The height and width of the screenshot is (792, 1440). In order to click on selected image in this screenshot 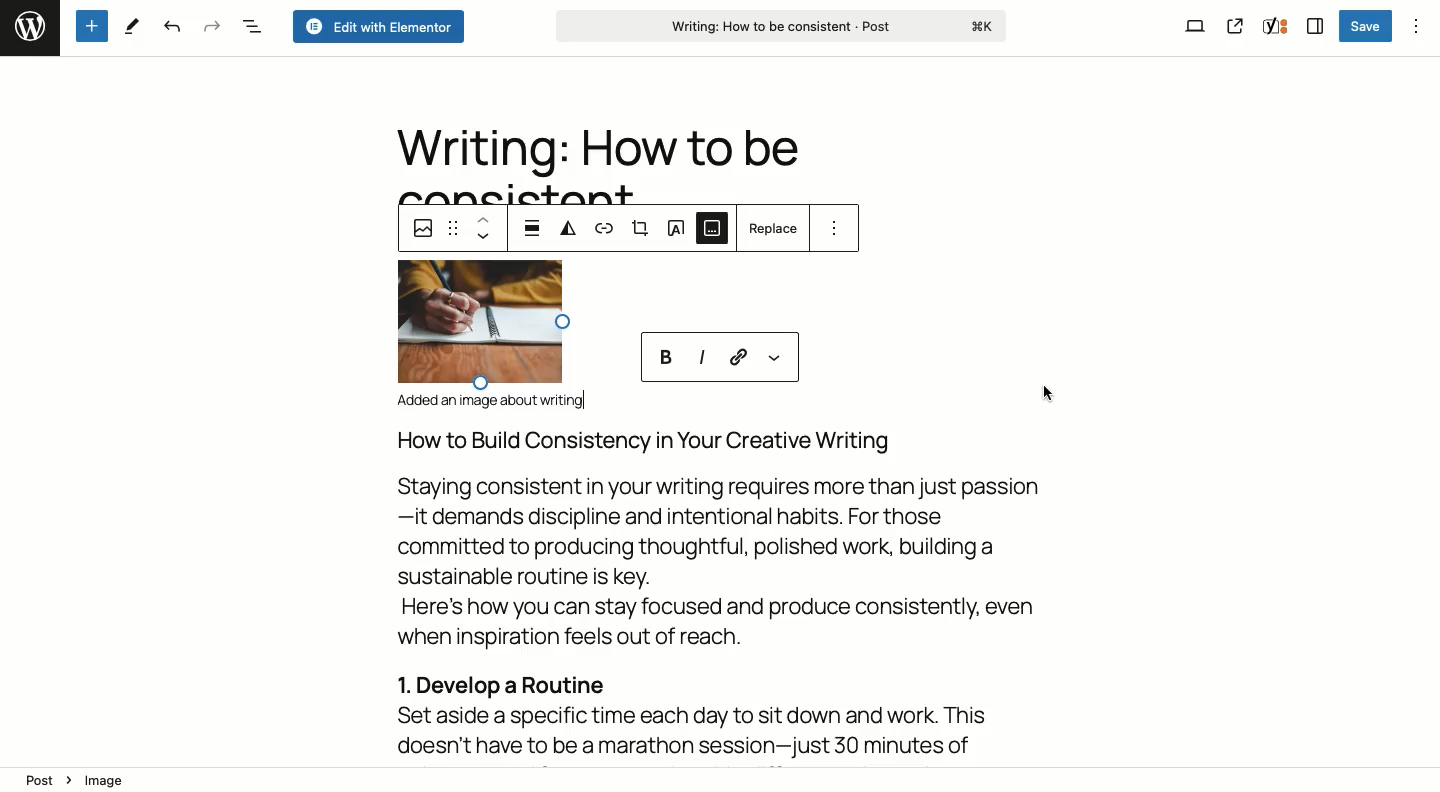, I will do `click(479, 325)`.